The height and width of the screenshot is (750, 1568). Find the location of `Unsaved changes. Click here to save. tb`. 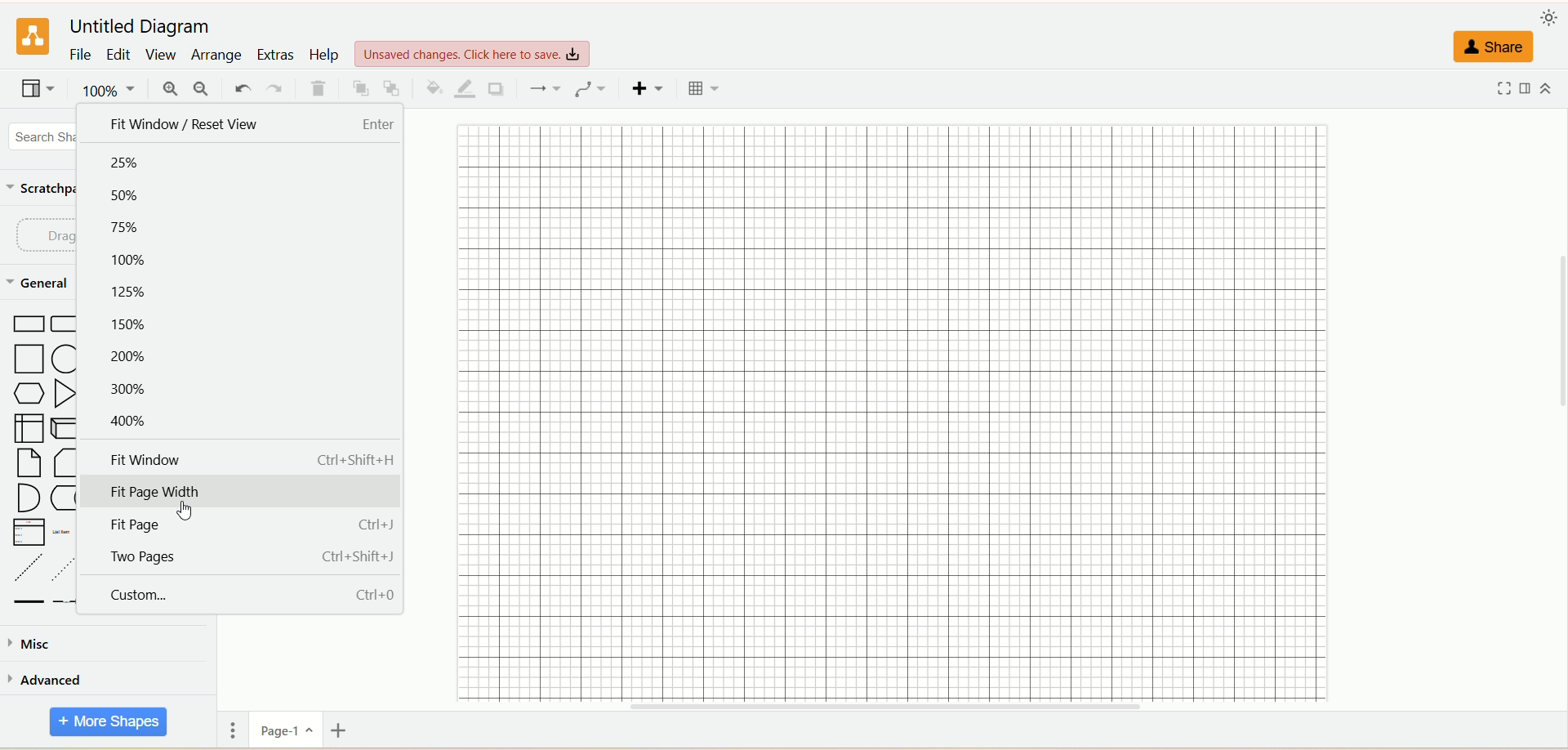

Unsaved changes. Click here to save. tb is located at coordinates (474, 48).